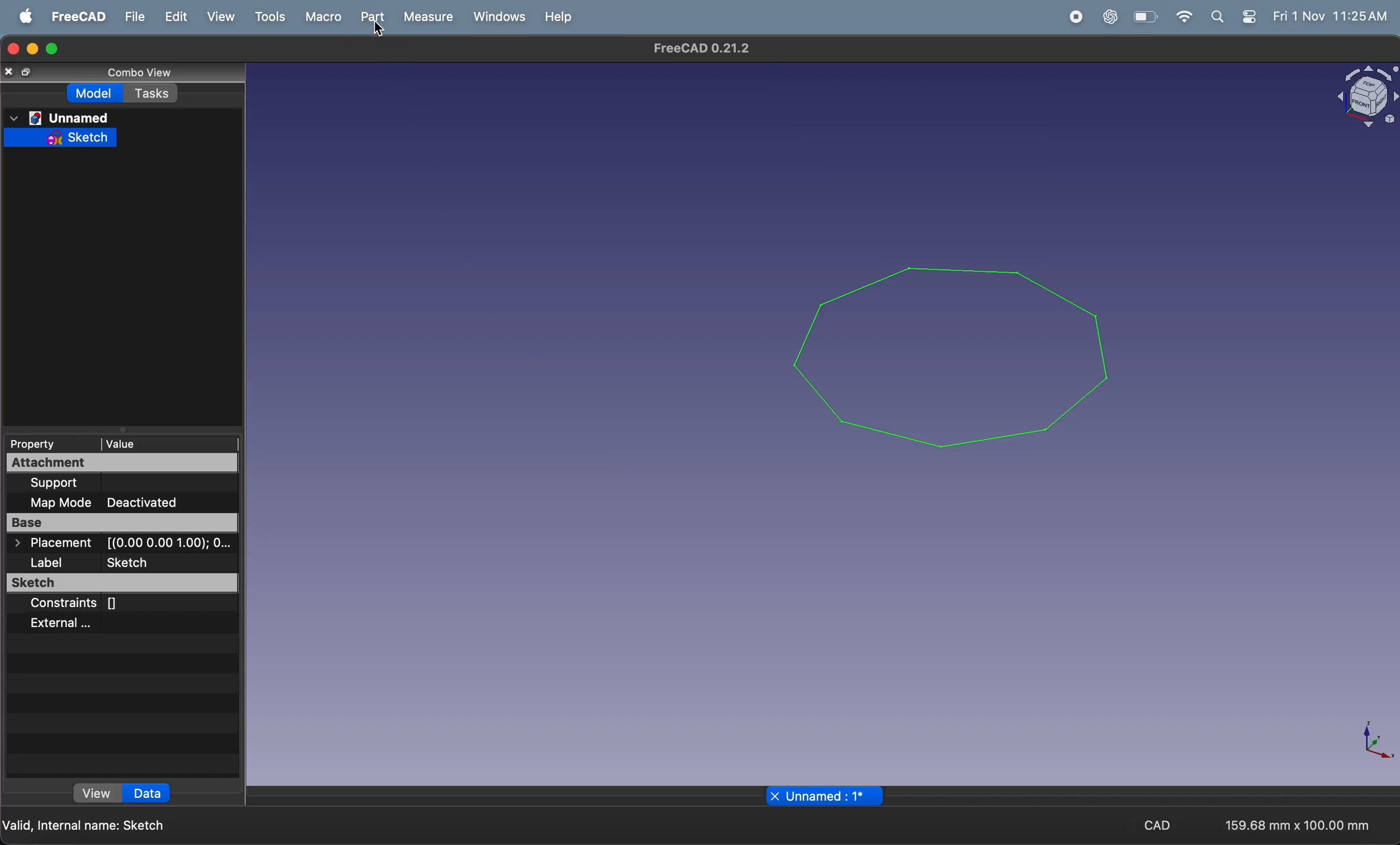 Image resolution: width=1400 pixels, height=845 pixels. I want to click on FreeCAD 0.21.2, so click(706, 48).